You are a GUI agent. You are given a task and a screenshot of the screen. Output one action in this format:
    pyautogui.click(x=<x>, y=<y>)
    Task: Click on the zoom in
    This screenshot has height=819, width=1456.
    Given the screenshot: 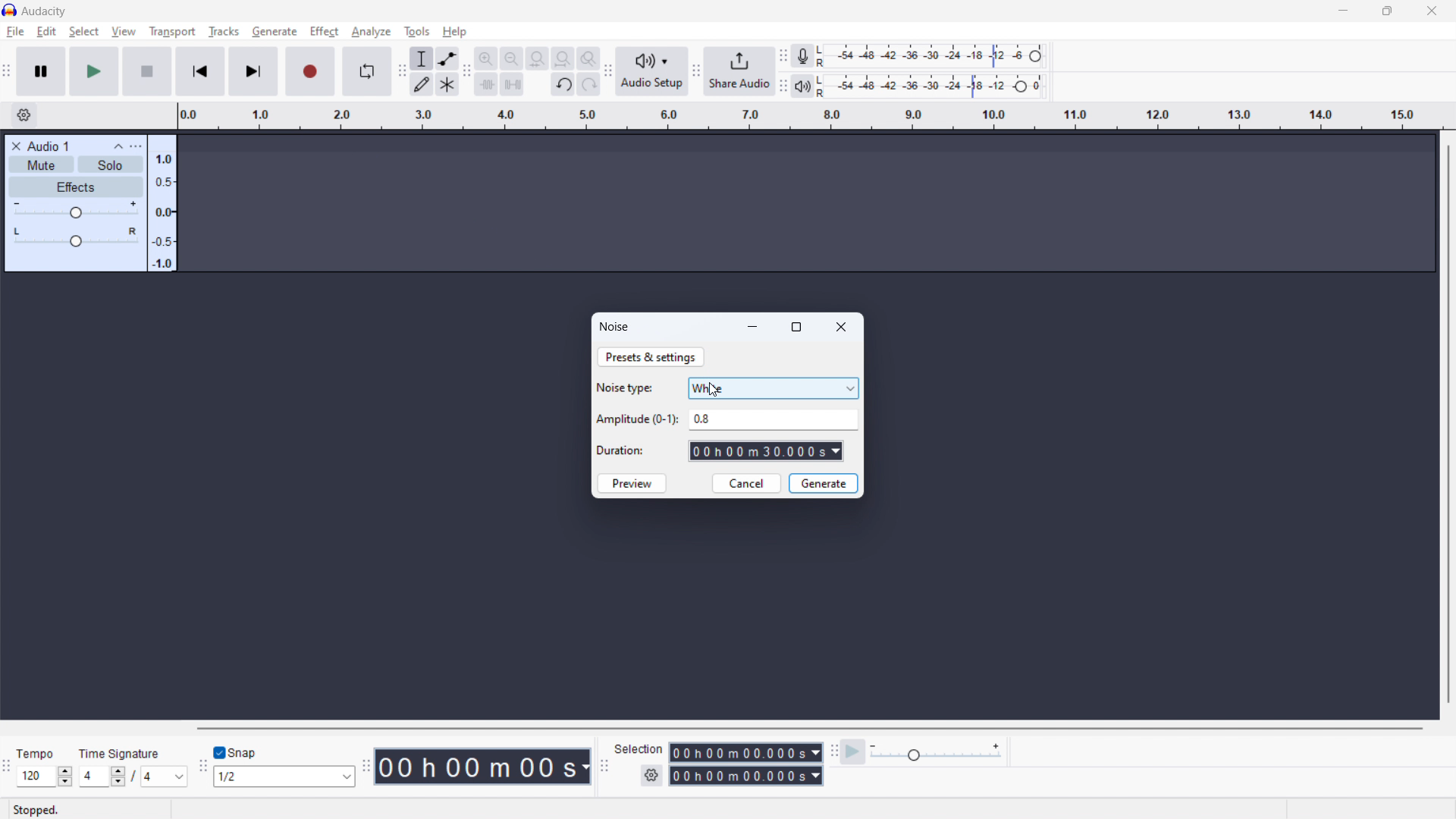 What is the action you would take?
    pyautogui.click(x=486, y=58)
    